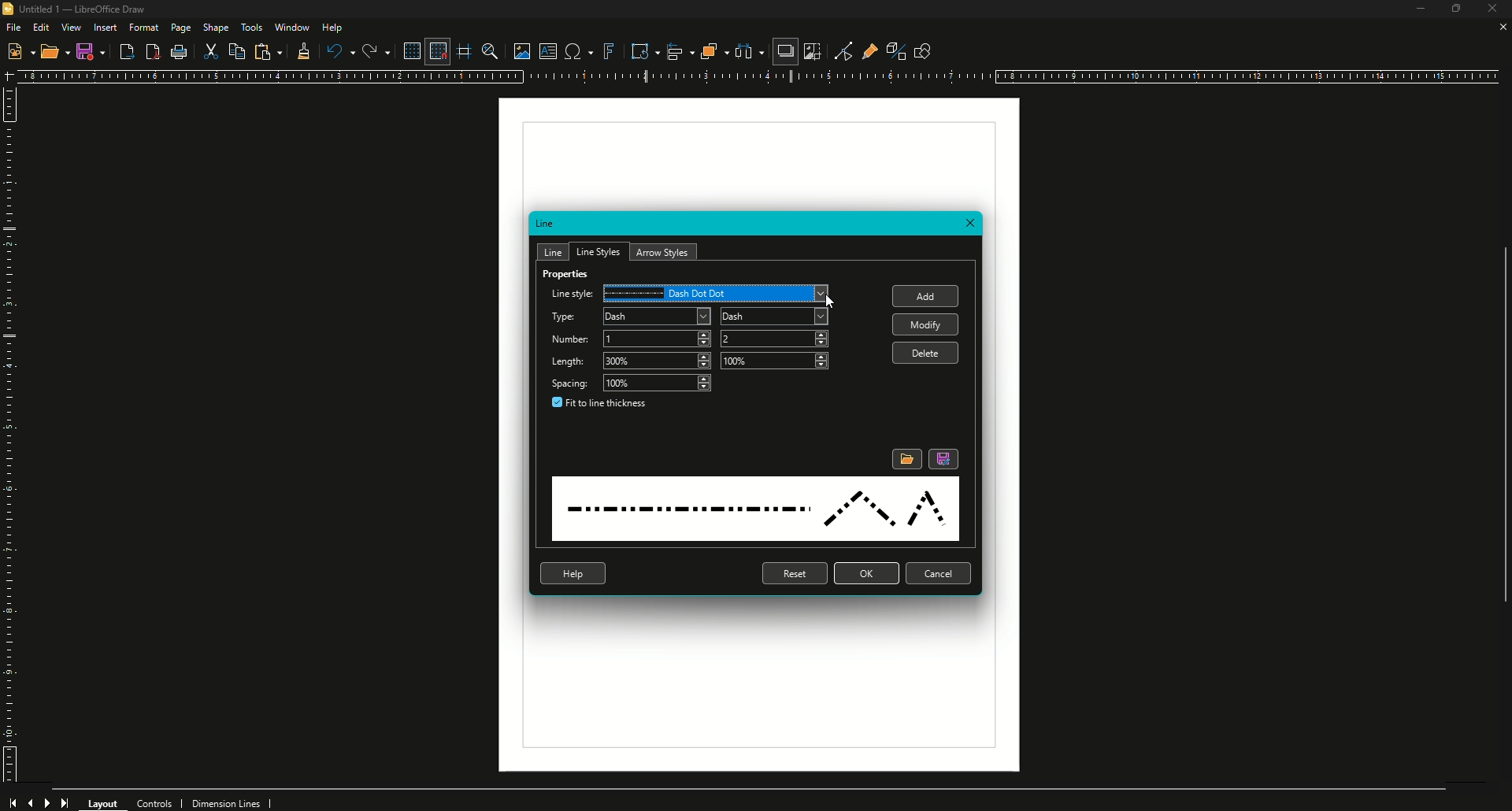 The width and height of the screenshot is (1512, 811). Describe the element at coordinates (334, 28) in the screenshot. I see `Help` at that location.